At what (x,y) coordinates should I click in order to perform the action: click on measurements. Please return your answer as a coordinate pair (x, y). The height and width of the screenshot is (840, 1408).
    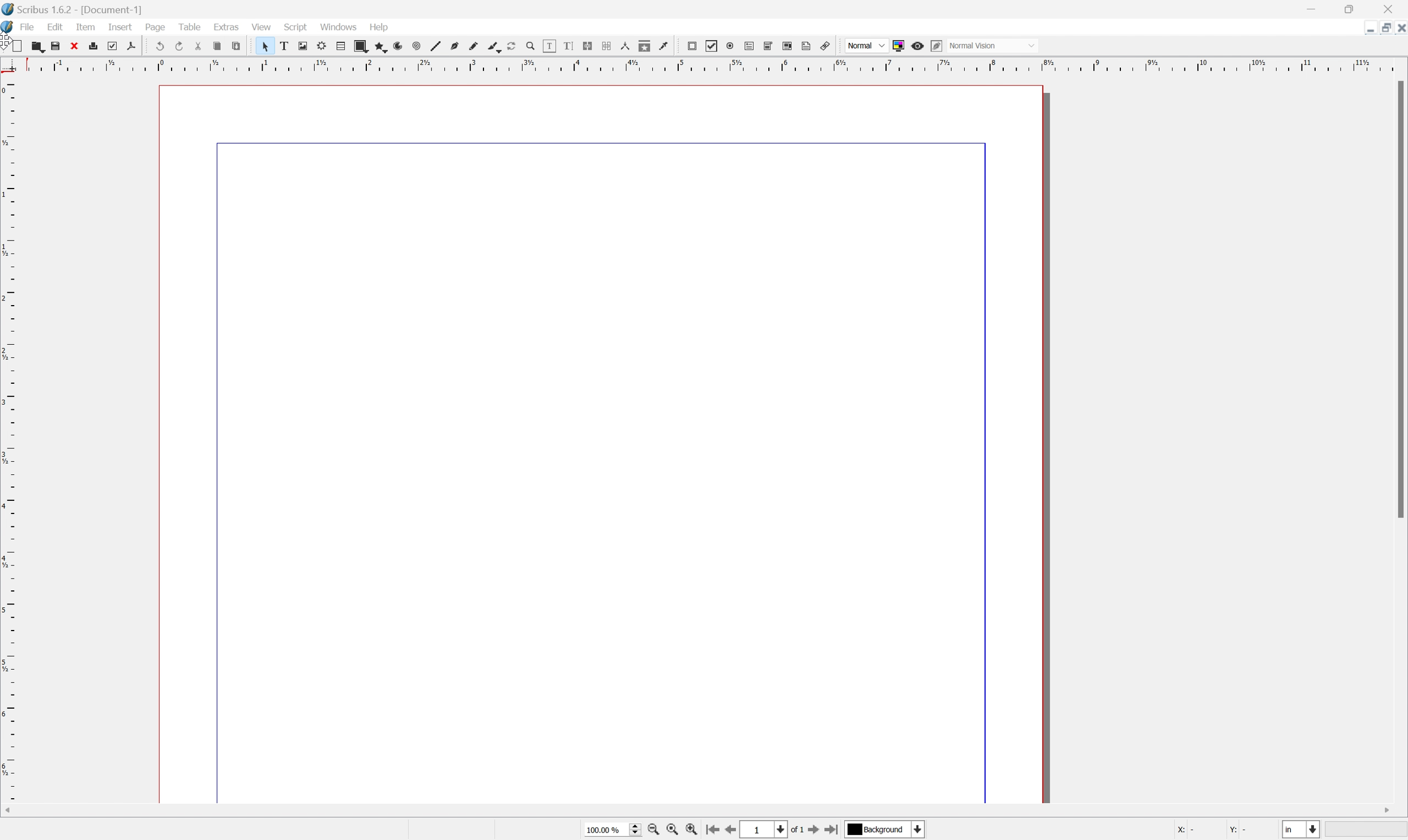
    Looking at the image, I should click on (624, 47).